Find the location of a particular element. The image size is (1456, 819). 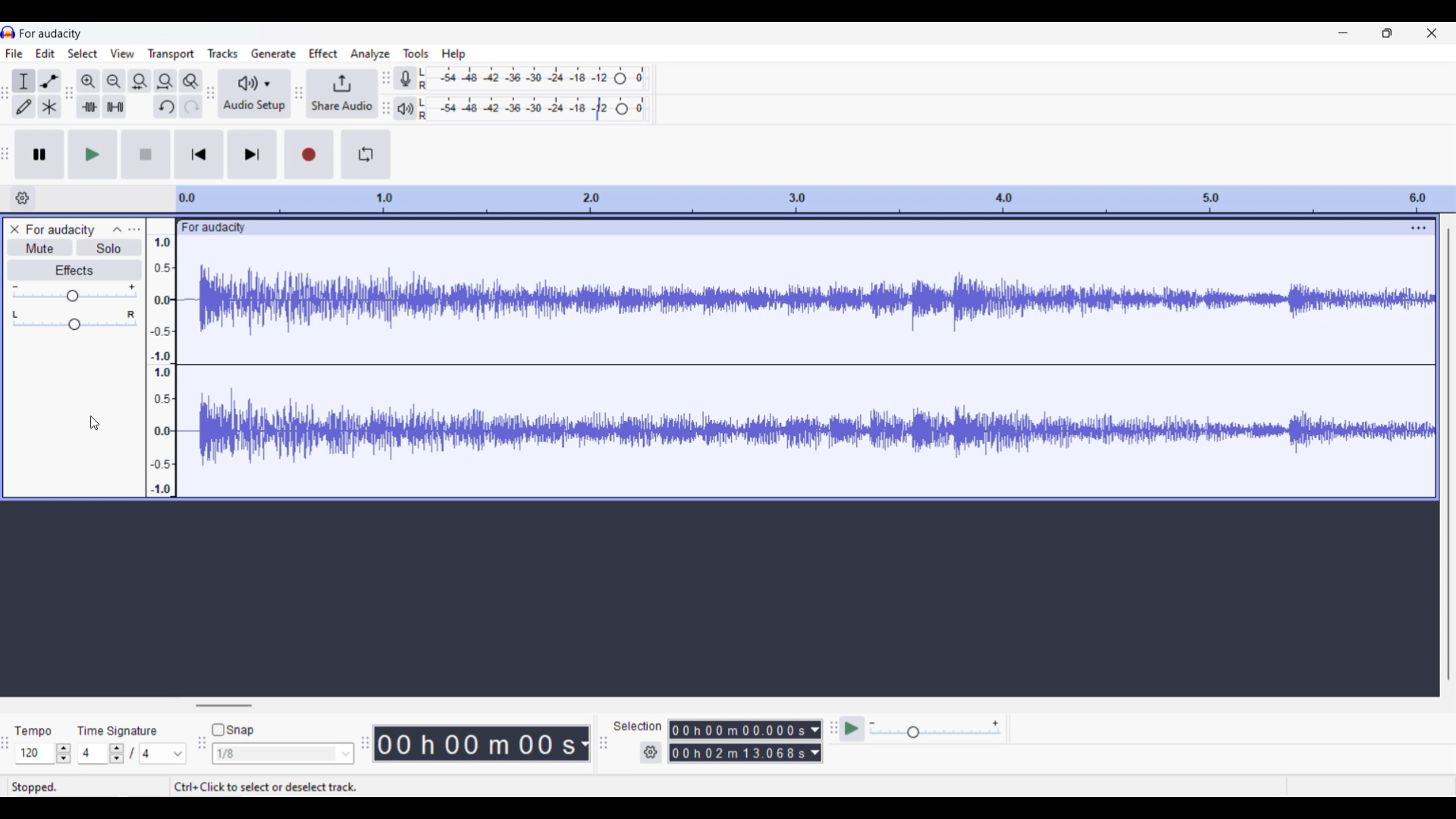

Time signature is located at coordinates (118, 730).